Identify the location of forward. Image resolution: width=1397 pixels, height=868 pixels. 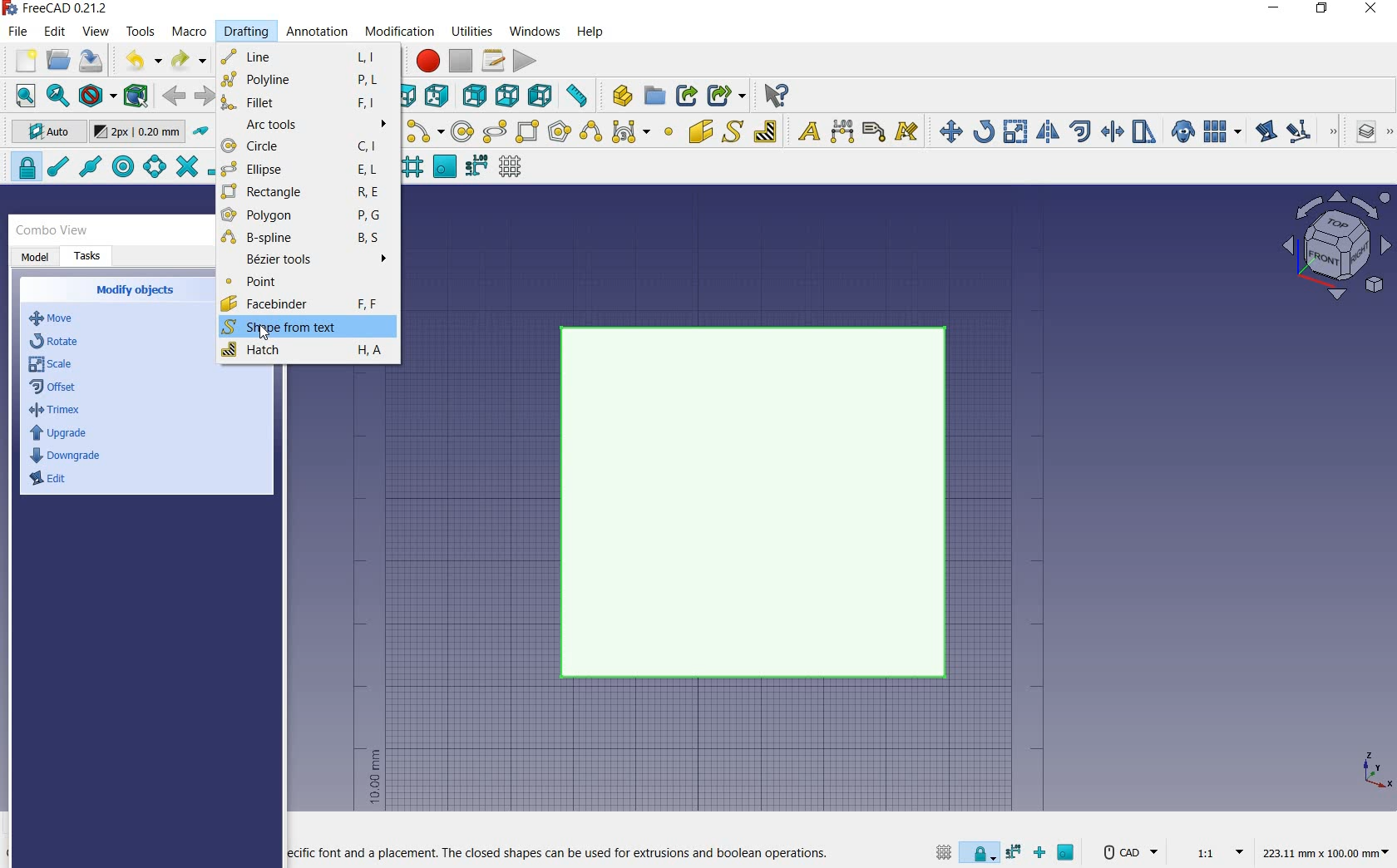
(205, 96).